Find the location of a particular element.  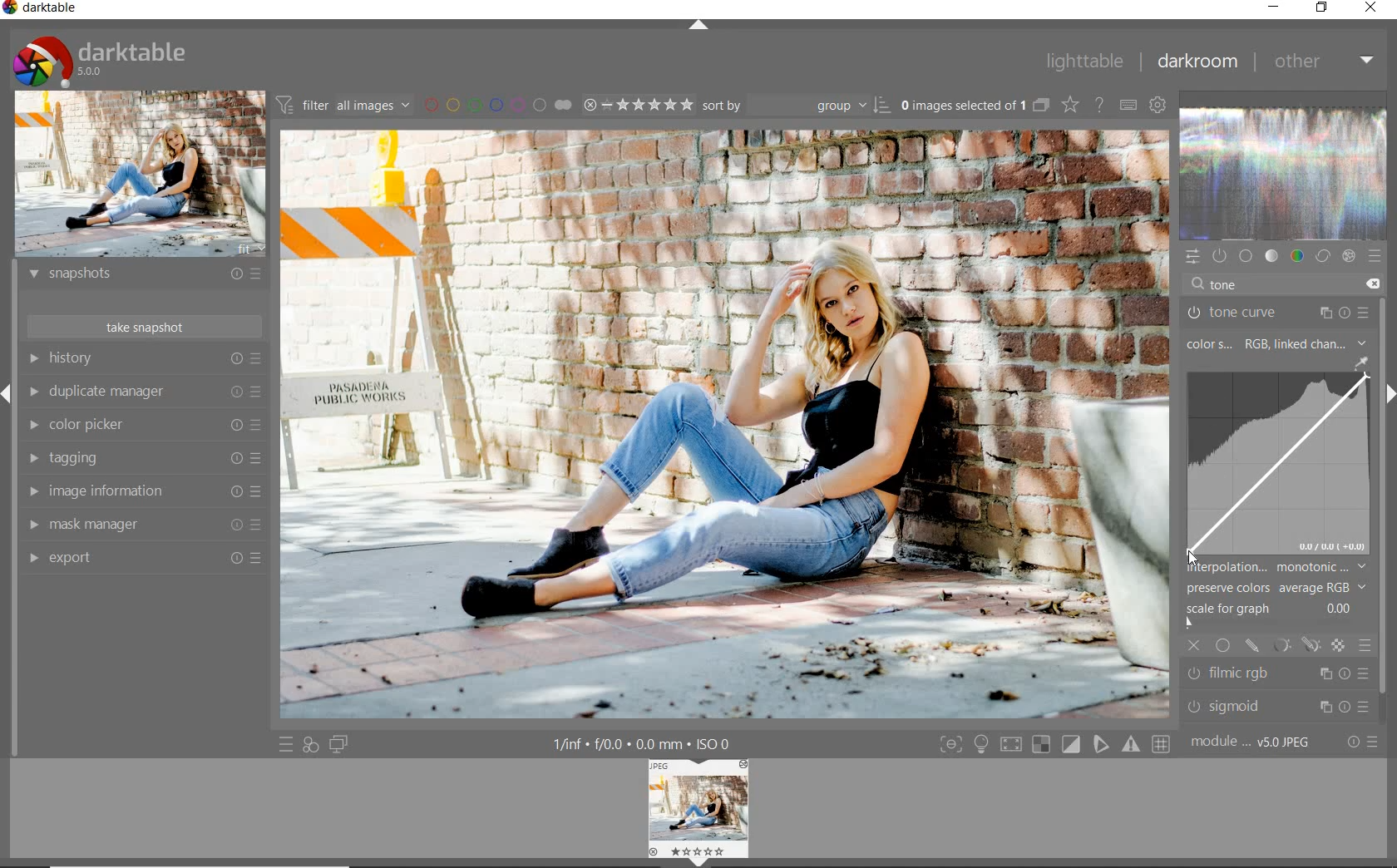

show global preferences is located at coordinates (1159, 106).